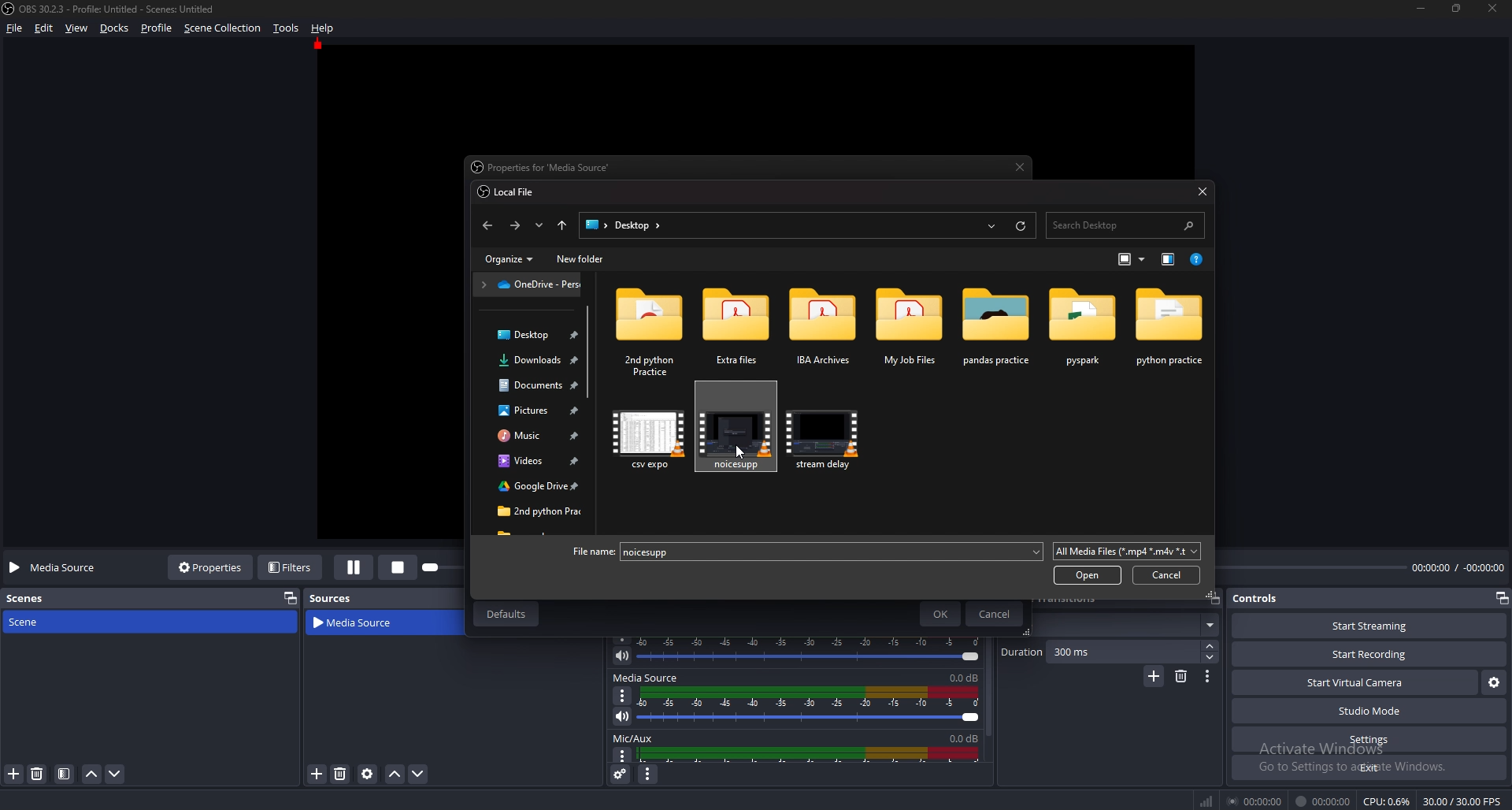 The height and width of the screenshot is (810, 1512). Describe the element at coordinates (825, 329) in the screenshot. I see `folder` at that location.